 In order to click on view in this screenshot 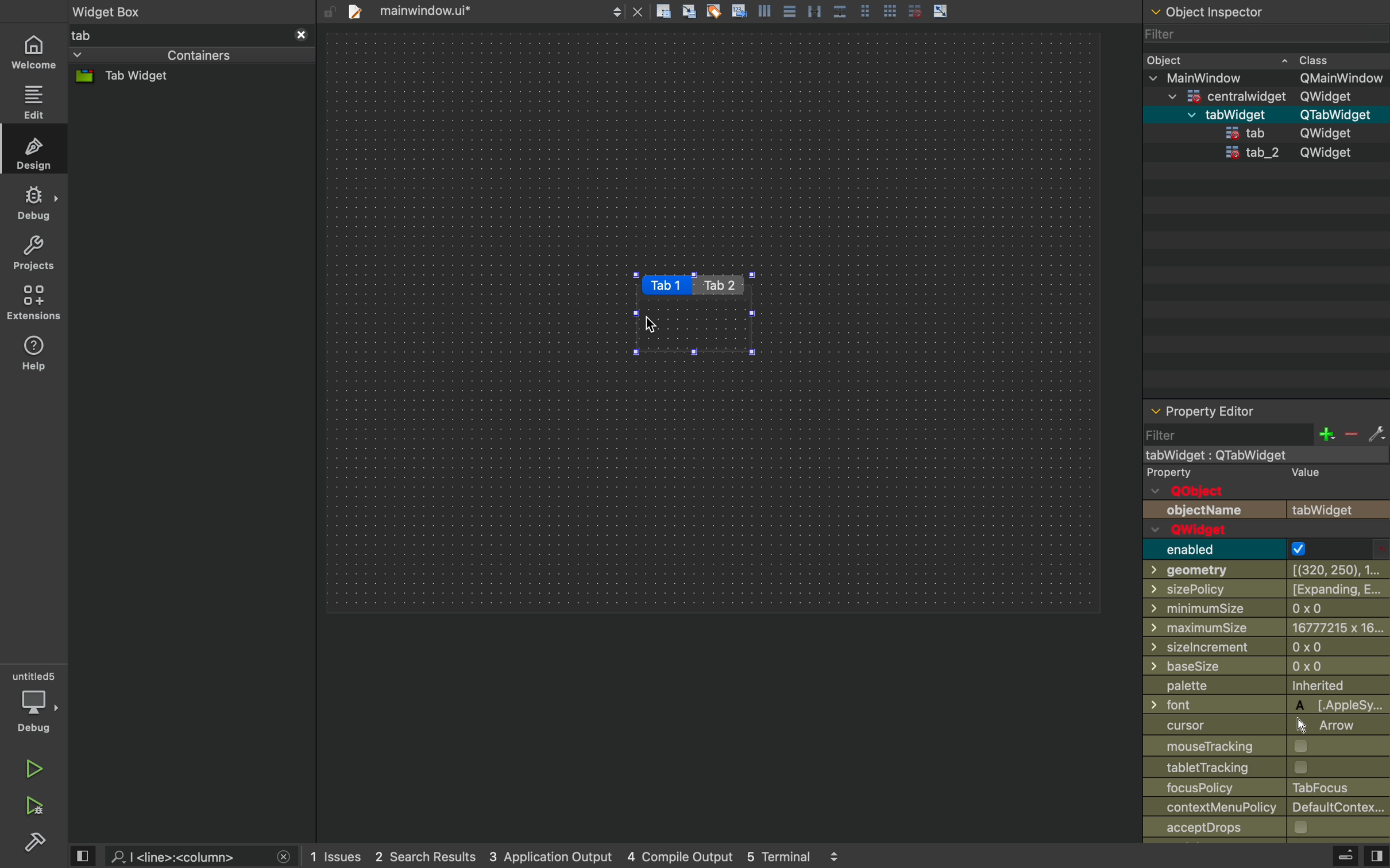, I will do `click(82, 857)`.